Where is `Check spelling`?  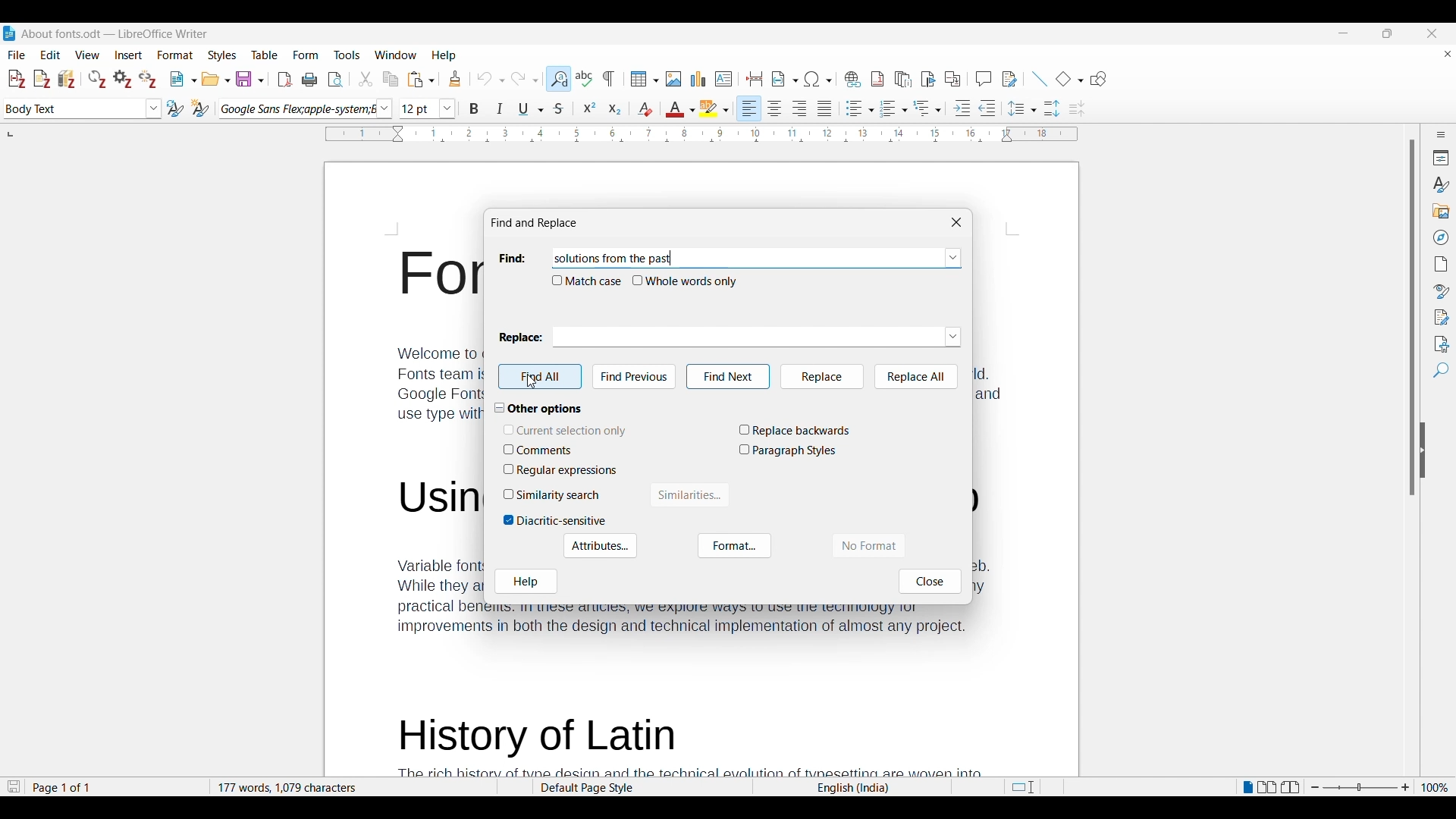 Check spelling is located at coordinates (584, 78).